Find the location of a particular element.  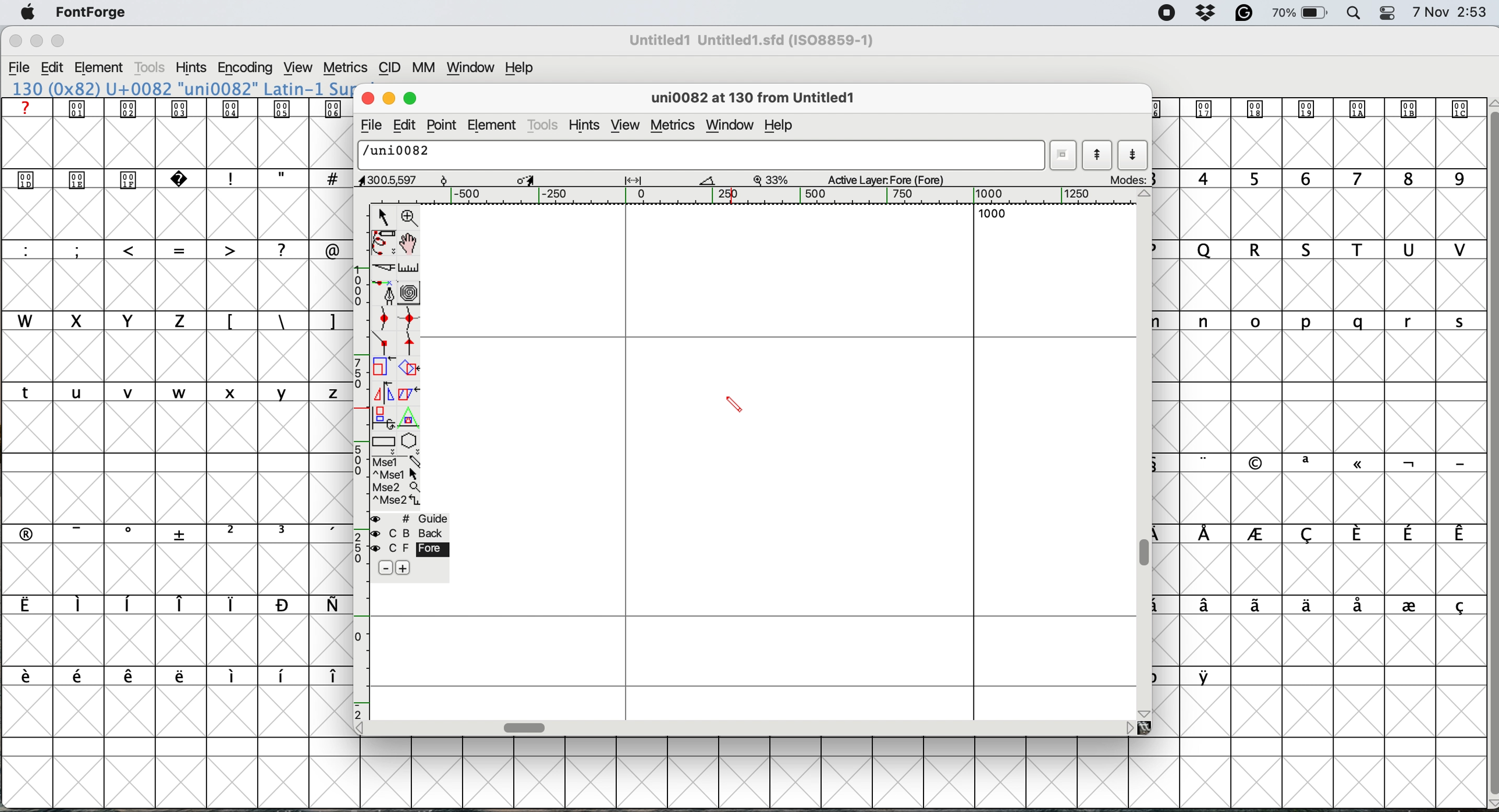

battery is located at coordinates (1302, 13).